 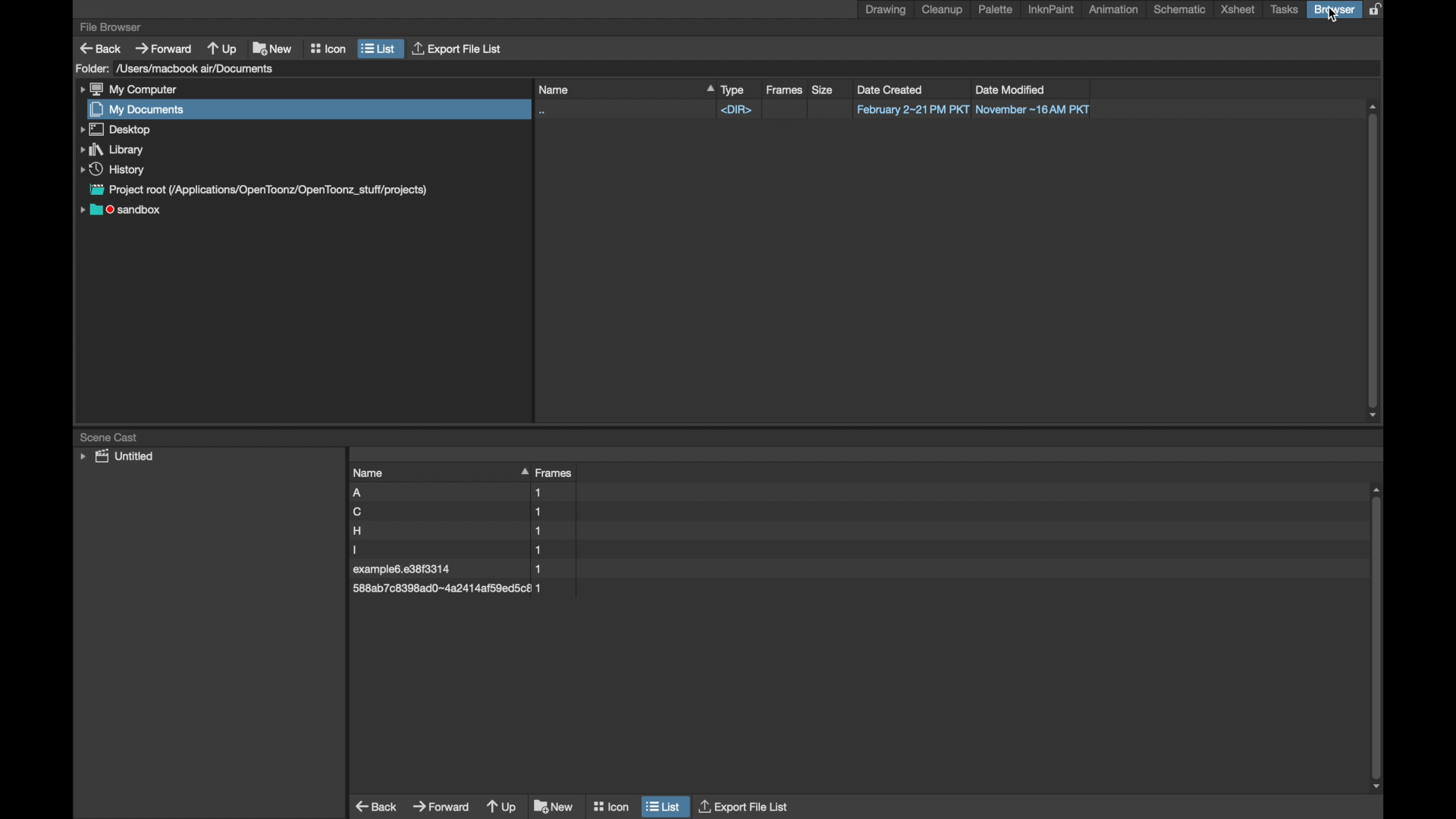 I want to click on back, so click(x=99, y=48).